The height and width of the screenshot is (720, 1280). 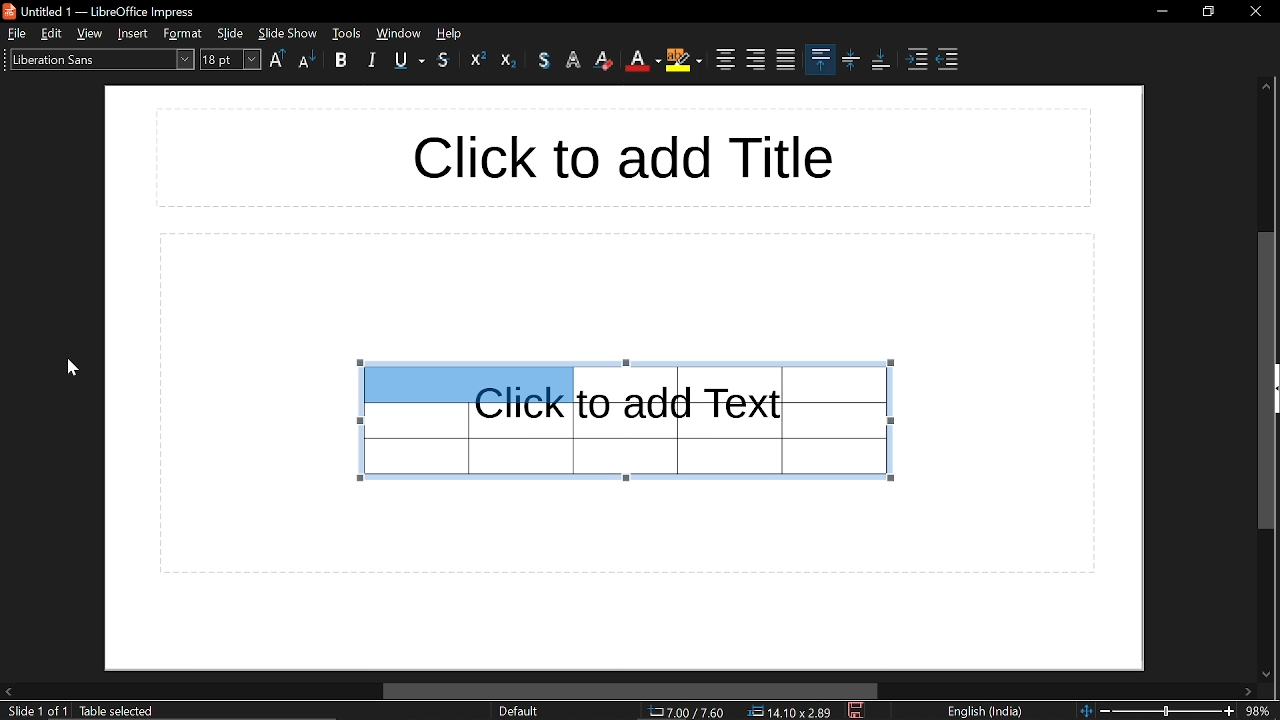 I want to click on Table, so click(x=467, y=447).